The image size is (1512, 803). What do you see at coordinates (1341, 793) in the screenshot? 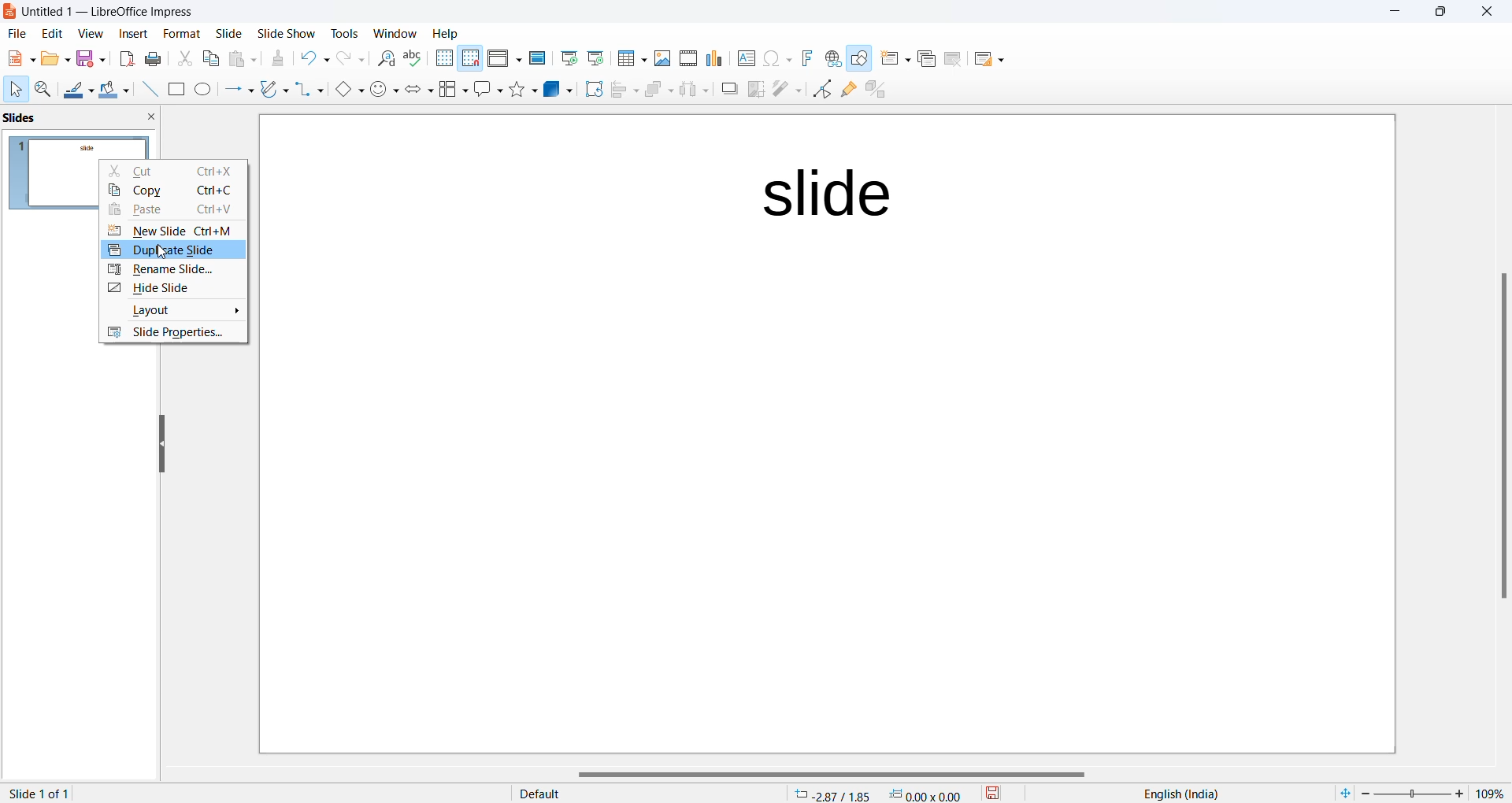
I see `fit to current window` at bounding box center [1341, 793].